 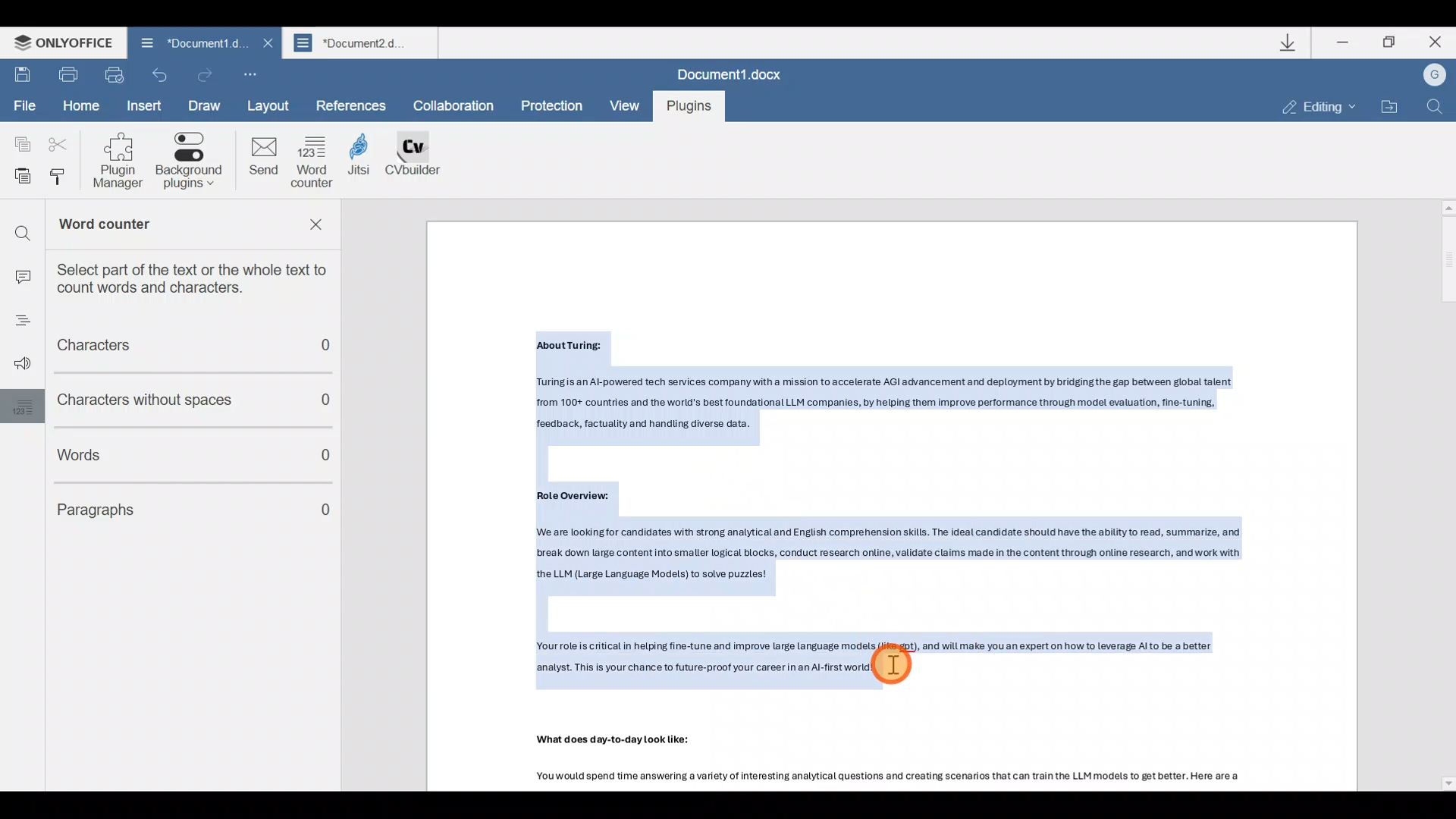 What do you see at coordinates (328, 512) in the screenshot?
I see `0` at bounding box center [328, 512].